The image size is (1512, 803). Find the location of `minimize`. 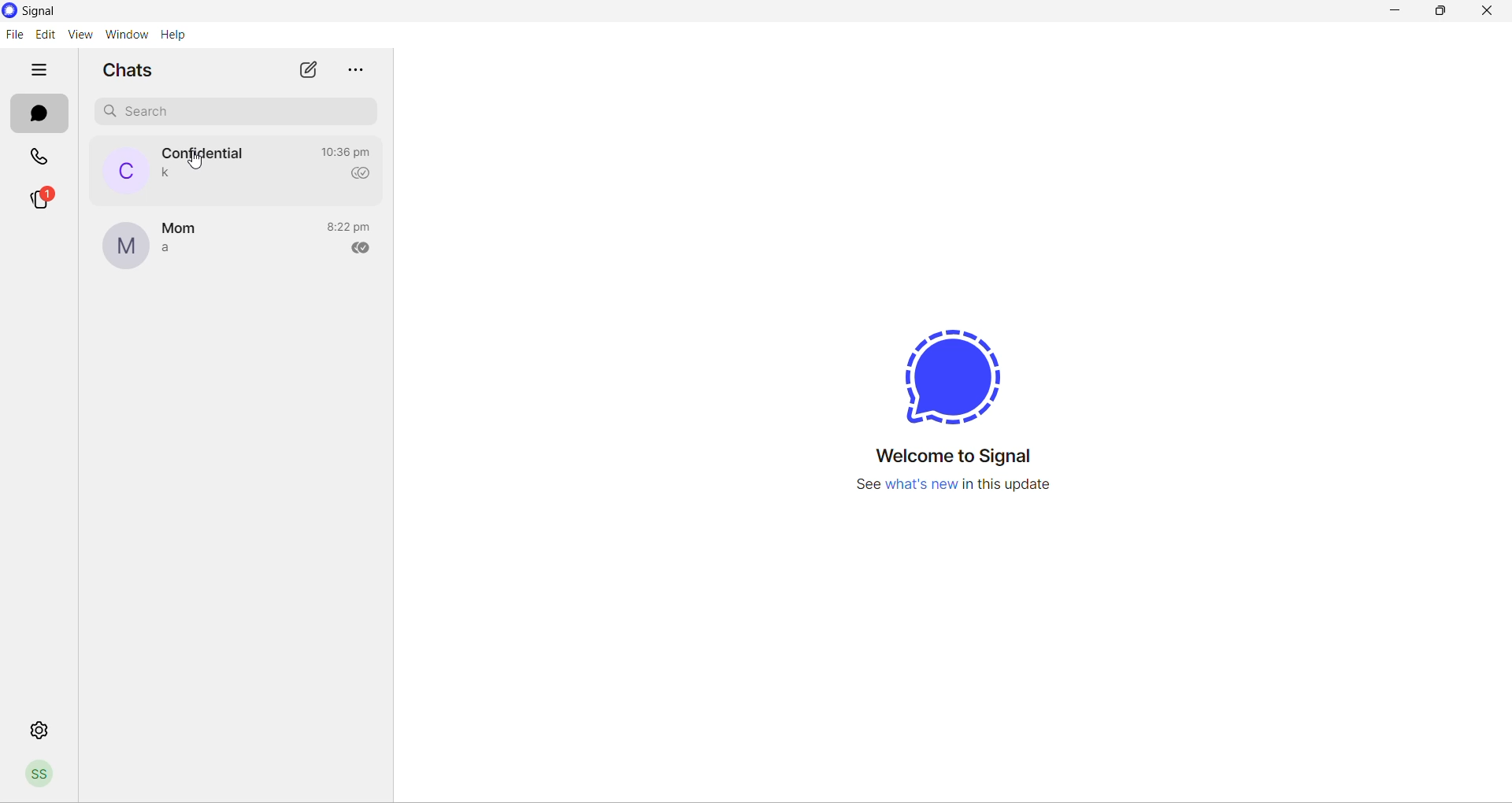

minimize is located at coordinates (1390, 11).